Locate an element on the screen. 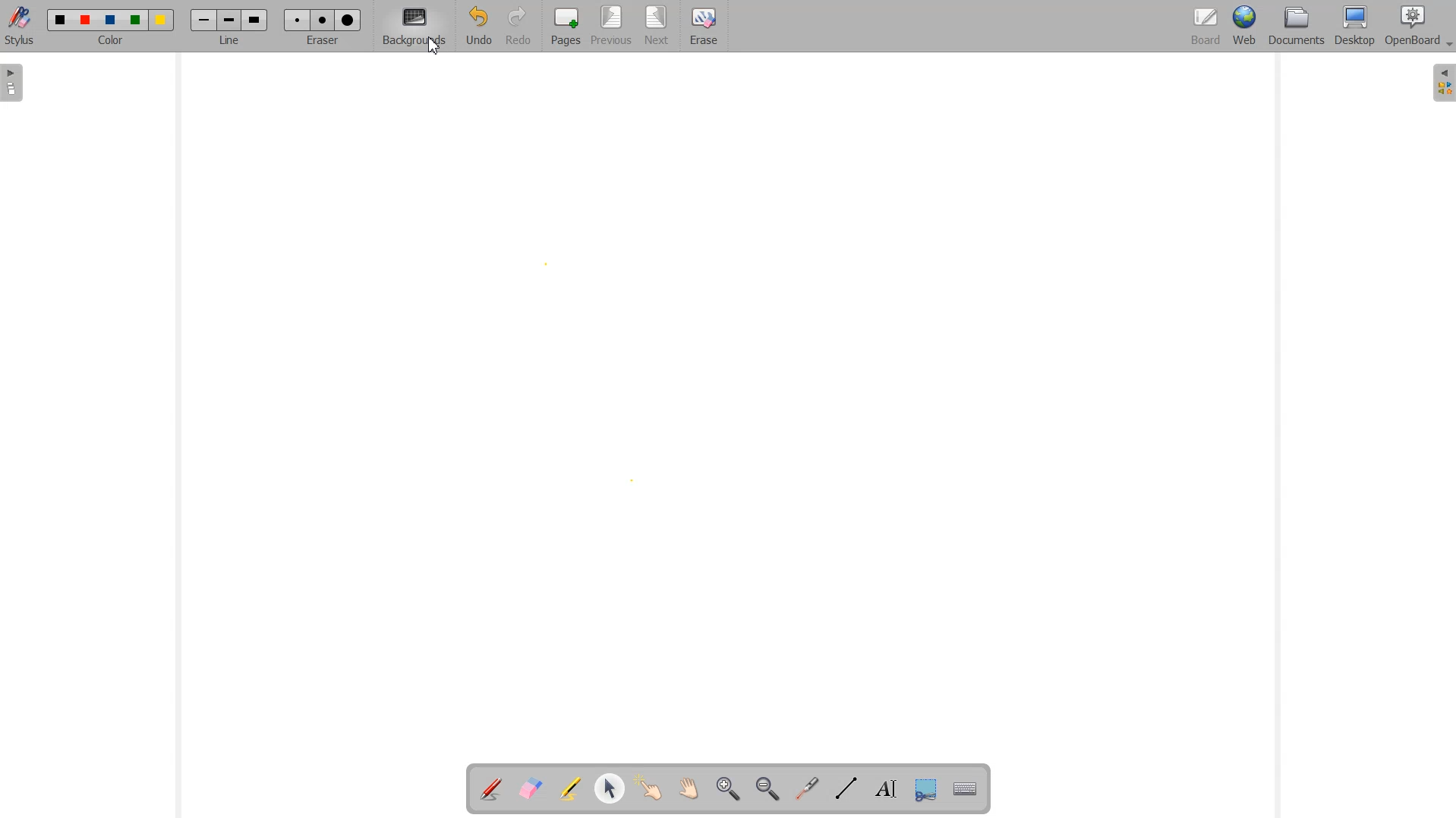 The width and height of the screenshot is (1456, 818). Interact With Item is located at coordinates (649, 790).